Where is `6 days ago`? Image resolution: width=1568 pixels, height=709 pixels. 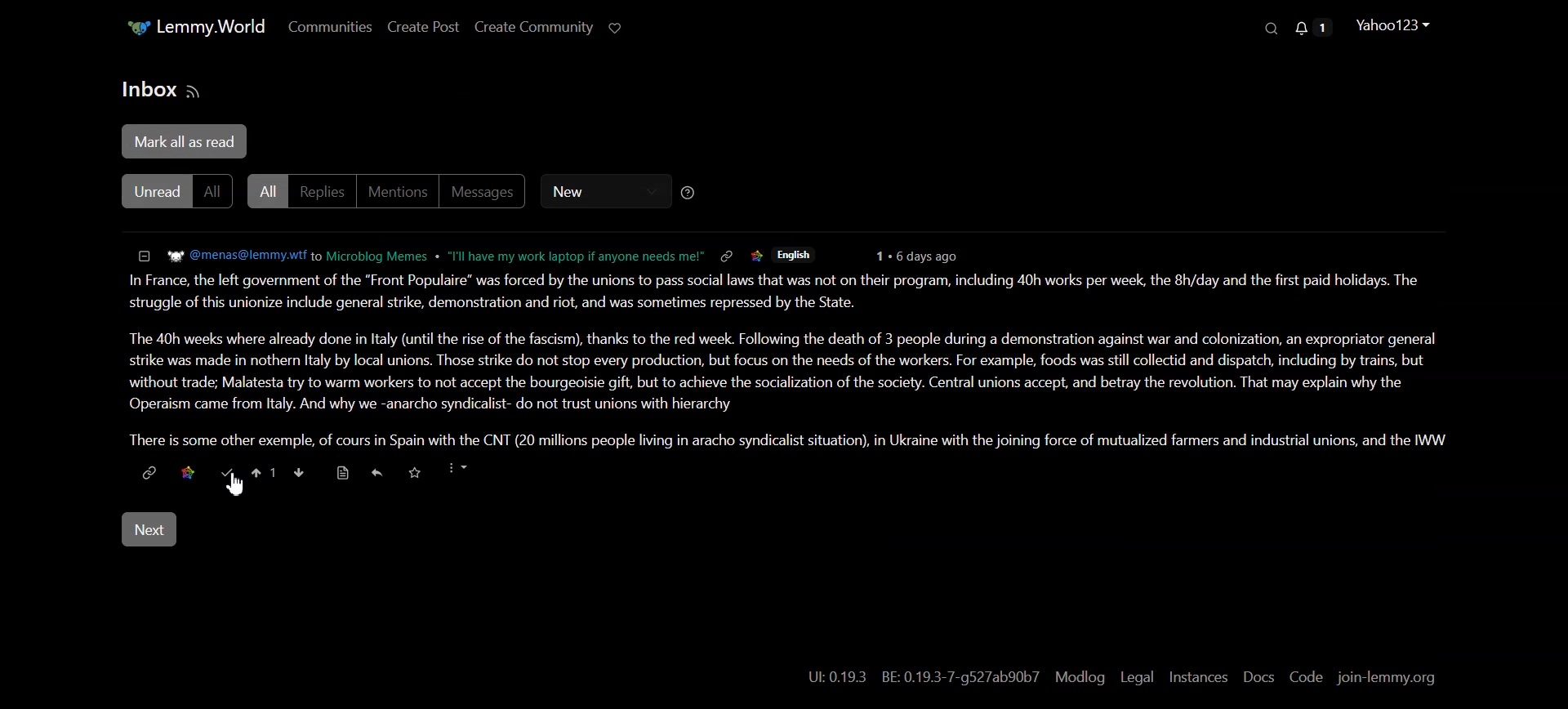 6 days ago is located at coordinates (916, 256).